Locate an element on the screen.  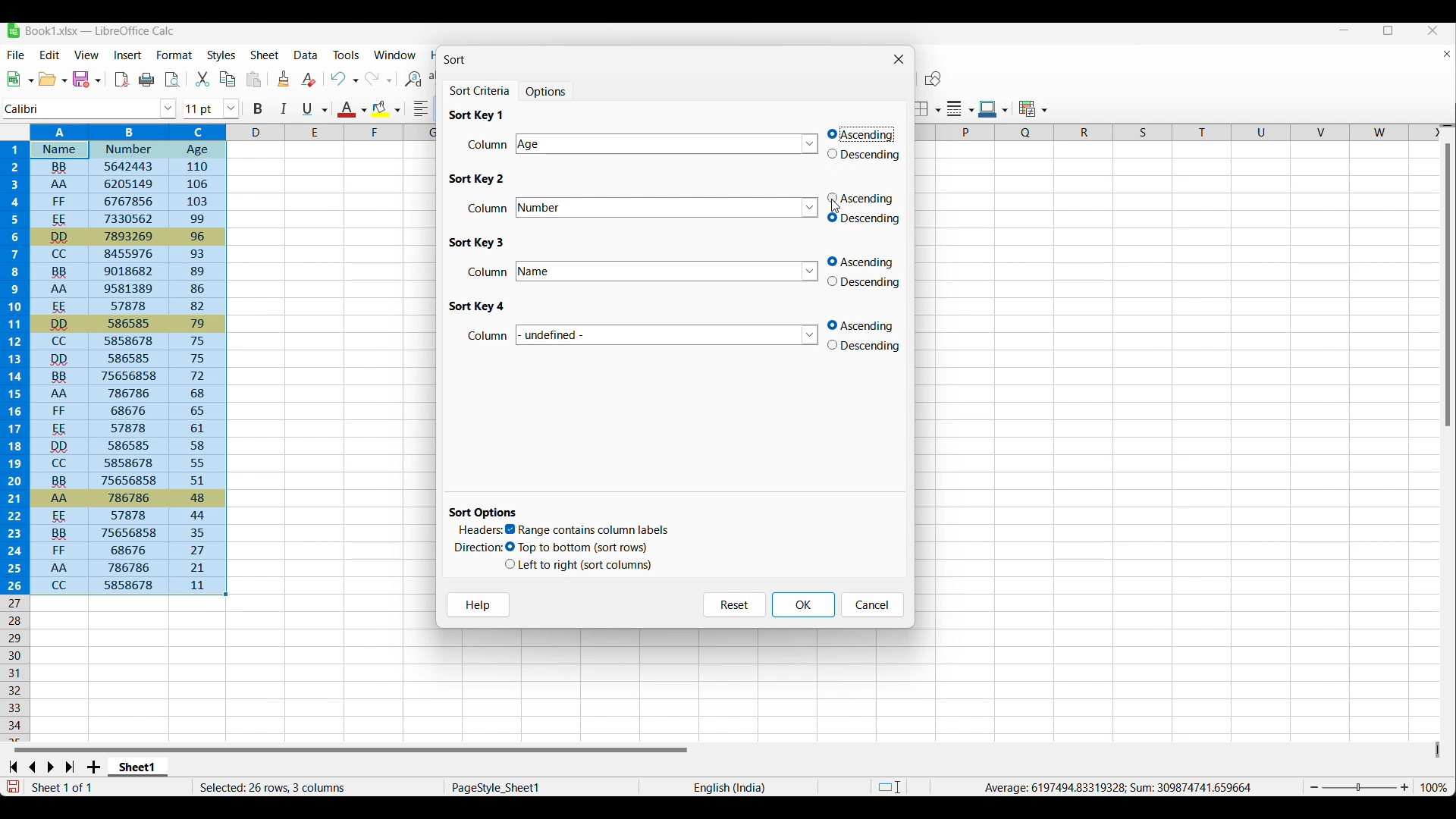
Indicates modifications that require saving is located at coordinates (12, 786).